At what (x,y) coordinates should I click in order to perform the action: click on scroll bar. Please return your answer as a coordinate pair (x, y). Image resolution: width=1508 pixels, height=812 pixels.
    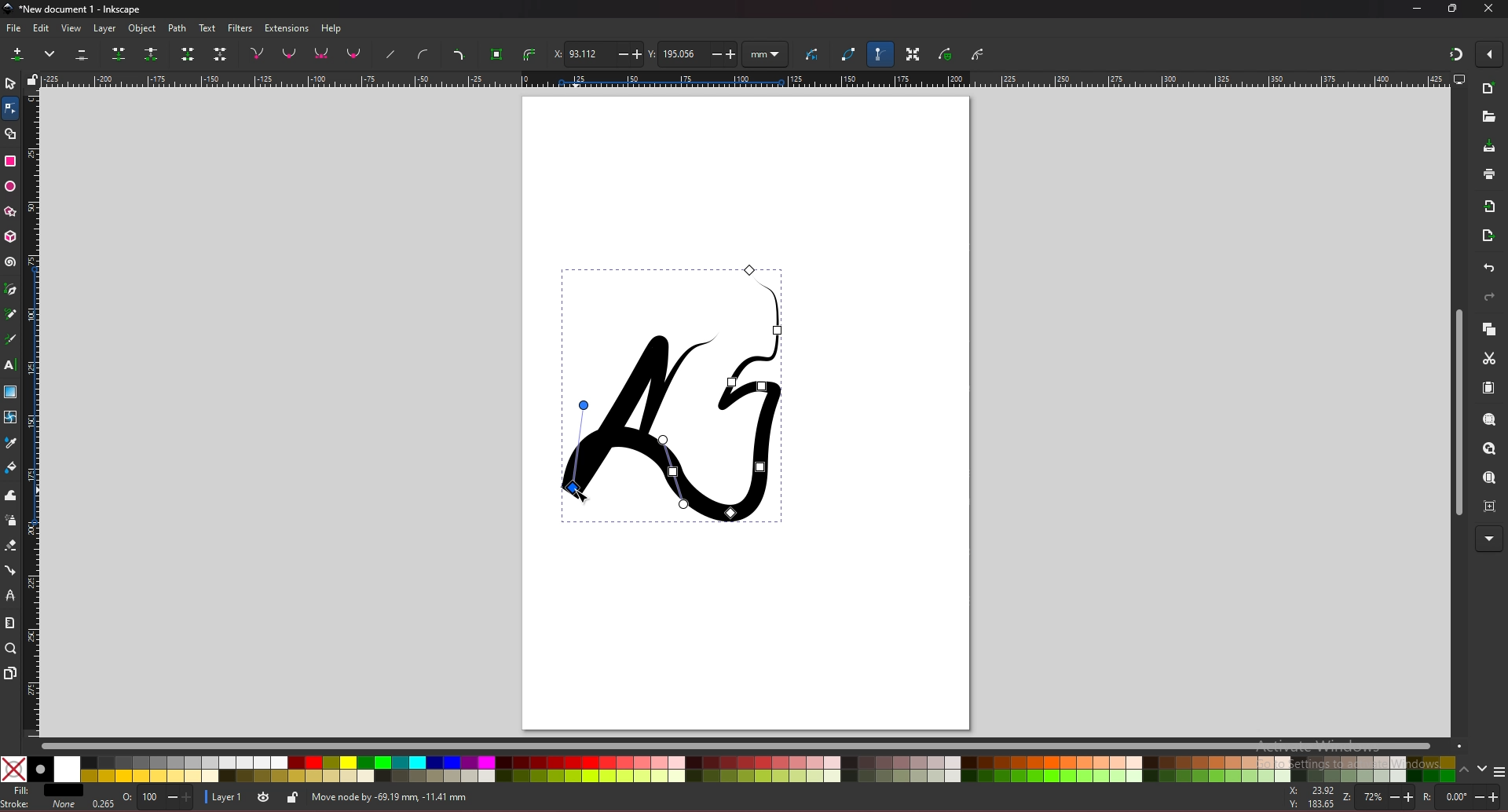
    Looking at the image, I should click on (751, 747).